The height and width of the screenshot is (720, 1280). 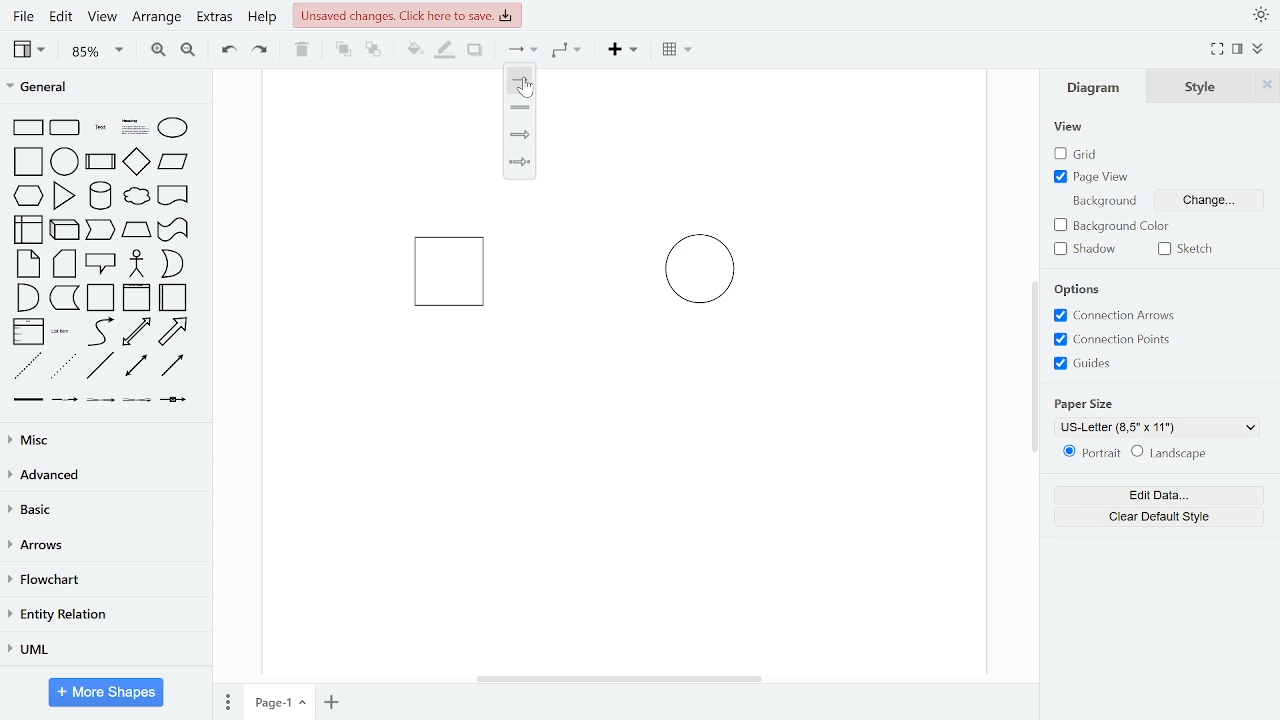 I want to click on diagram, so click(x=1098, y=86).